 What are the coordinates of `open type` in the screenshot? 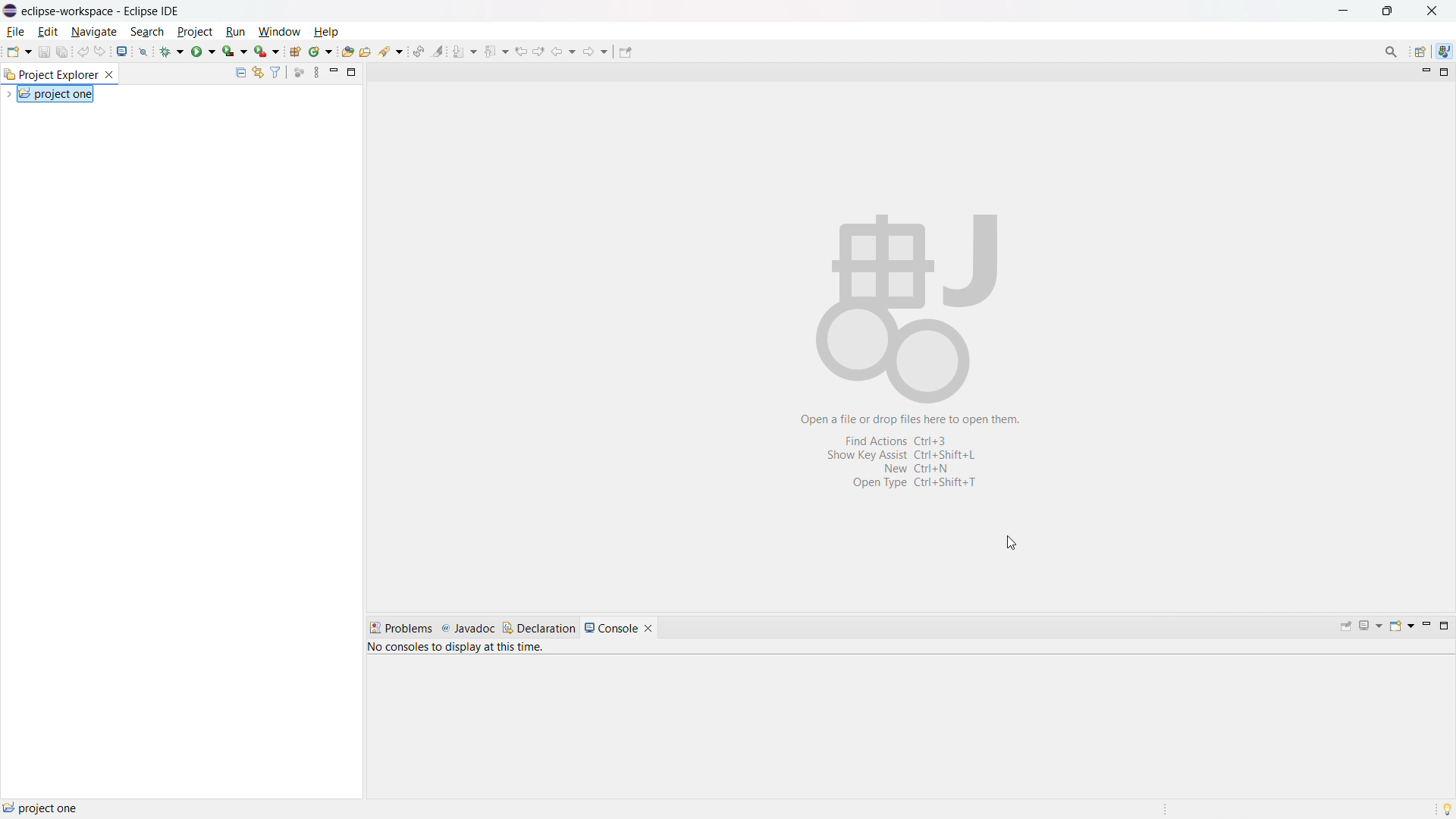 It's located at (348, 51).